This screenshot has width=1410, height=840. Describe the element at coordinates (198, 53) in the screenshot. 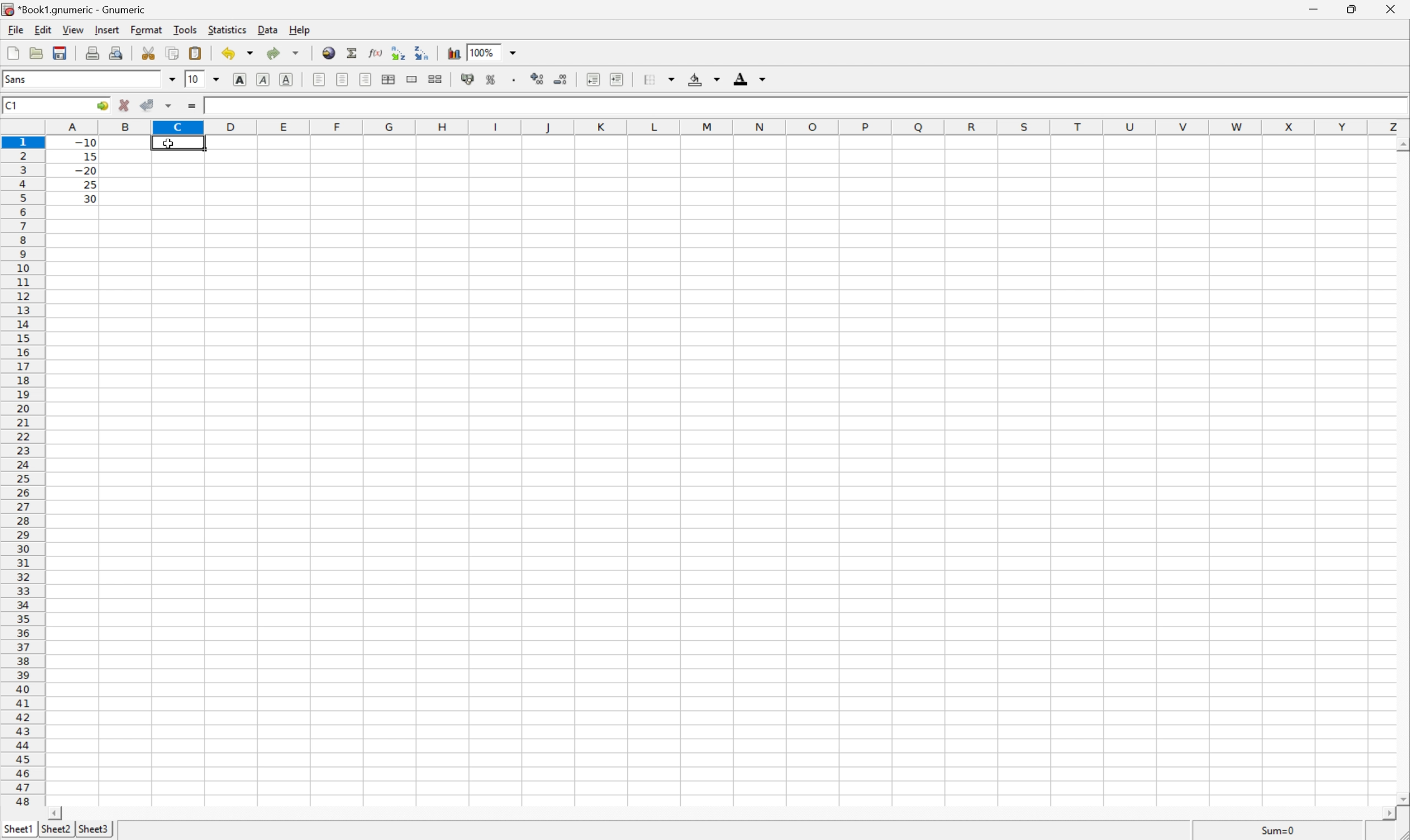

I see `Paste the clipboard` at that location.